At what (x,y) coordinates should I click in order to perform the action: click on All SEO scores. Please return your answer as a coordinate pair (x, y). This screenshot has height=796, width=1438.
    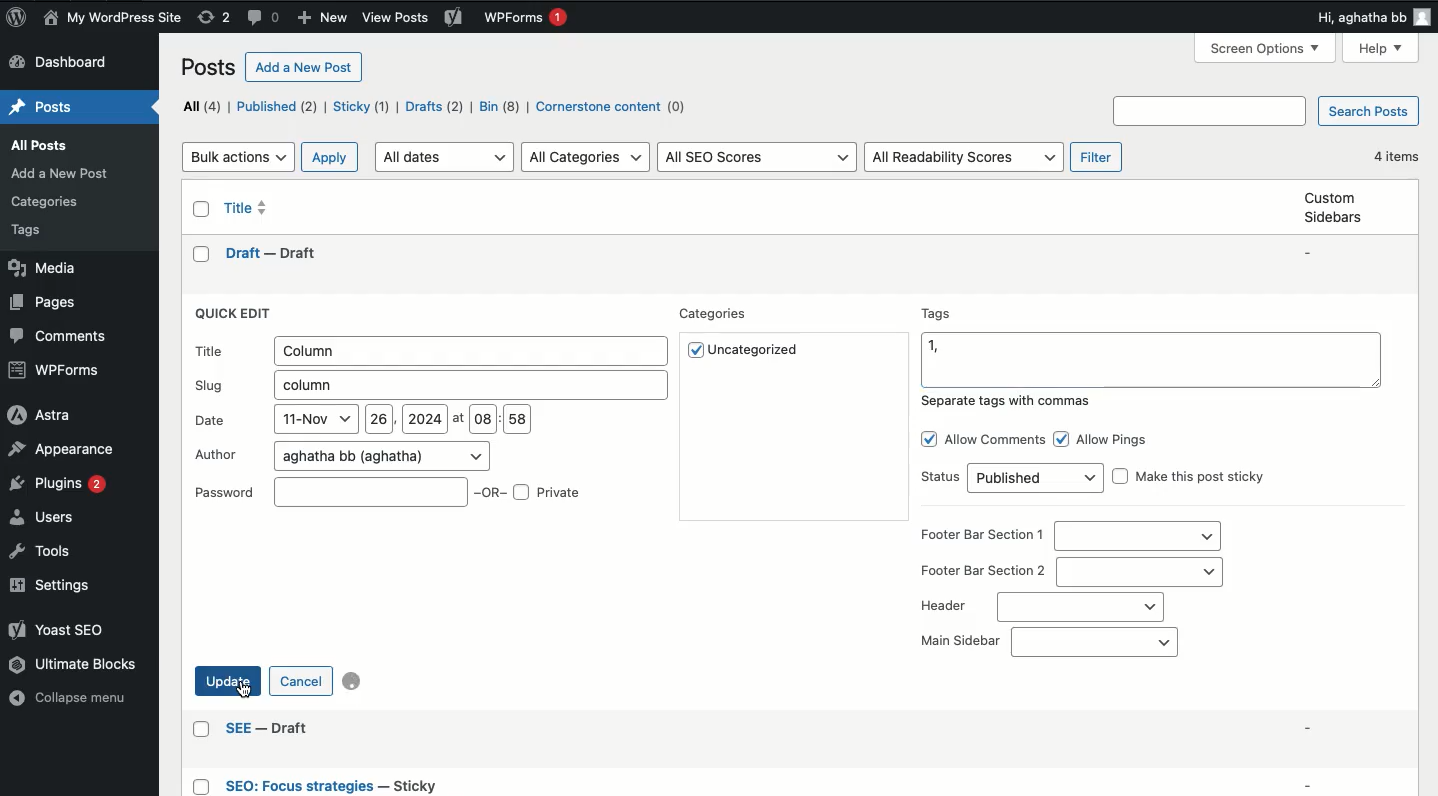
    Looking at the image, I should click on (760, 158).